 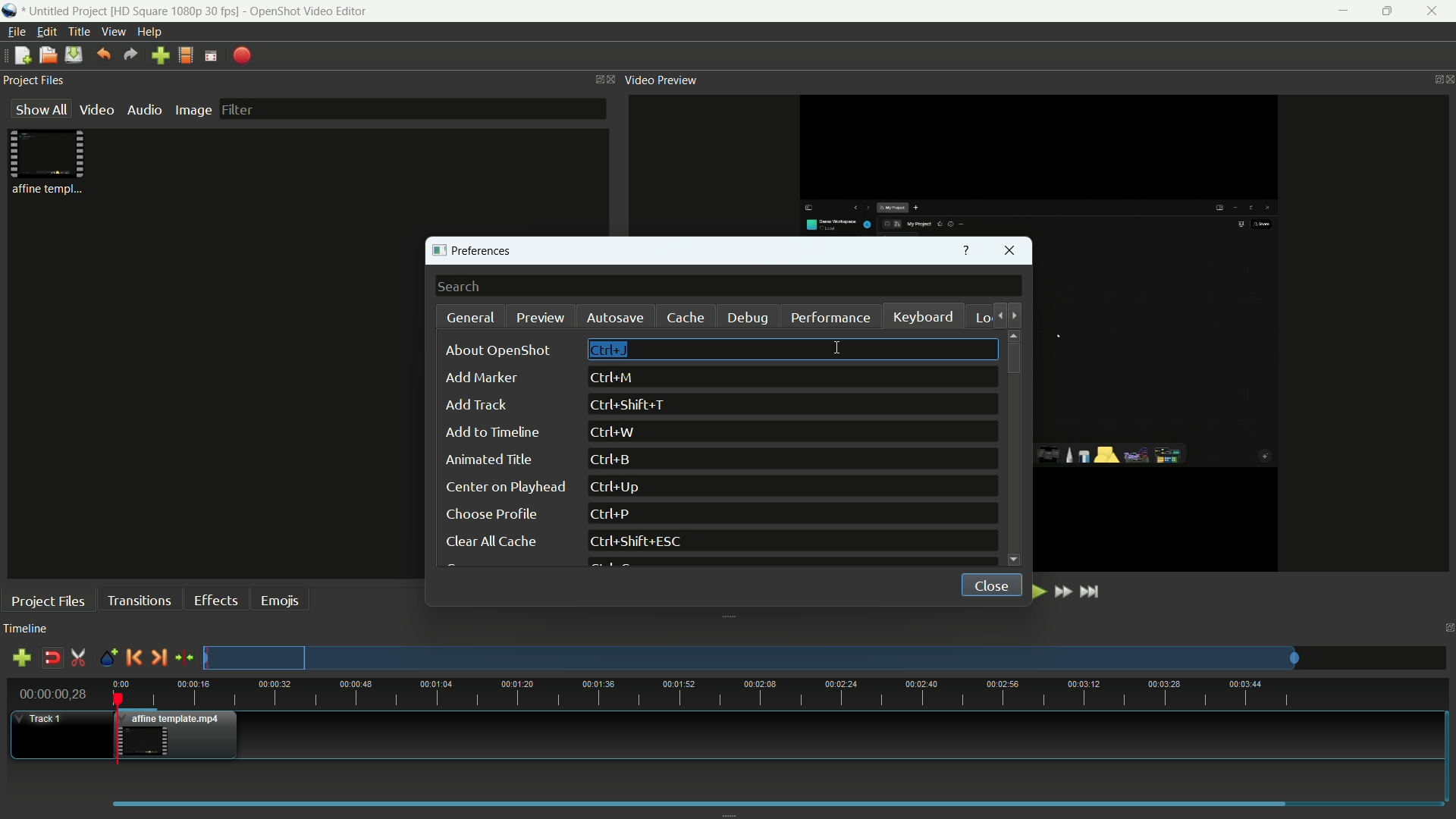 I want to click on create marker, so click(x=105, y=658).